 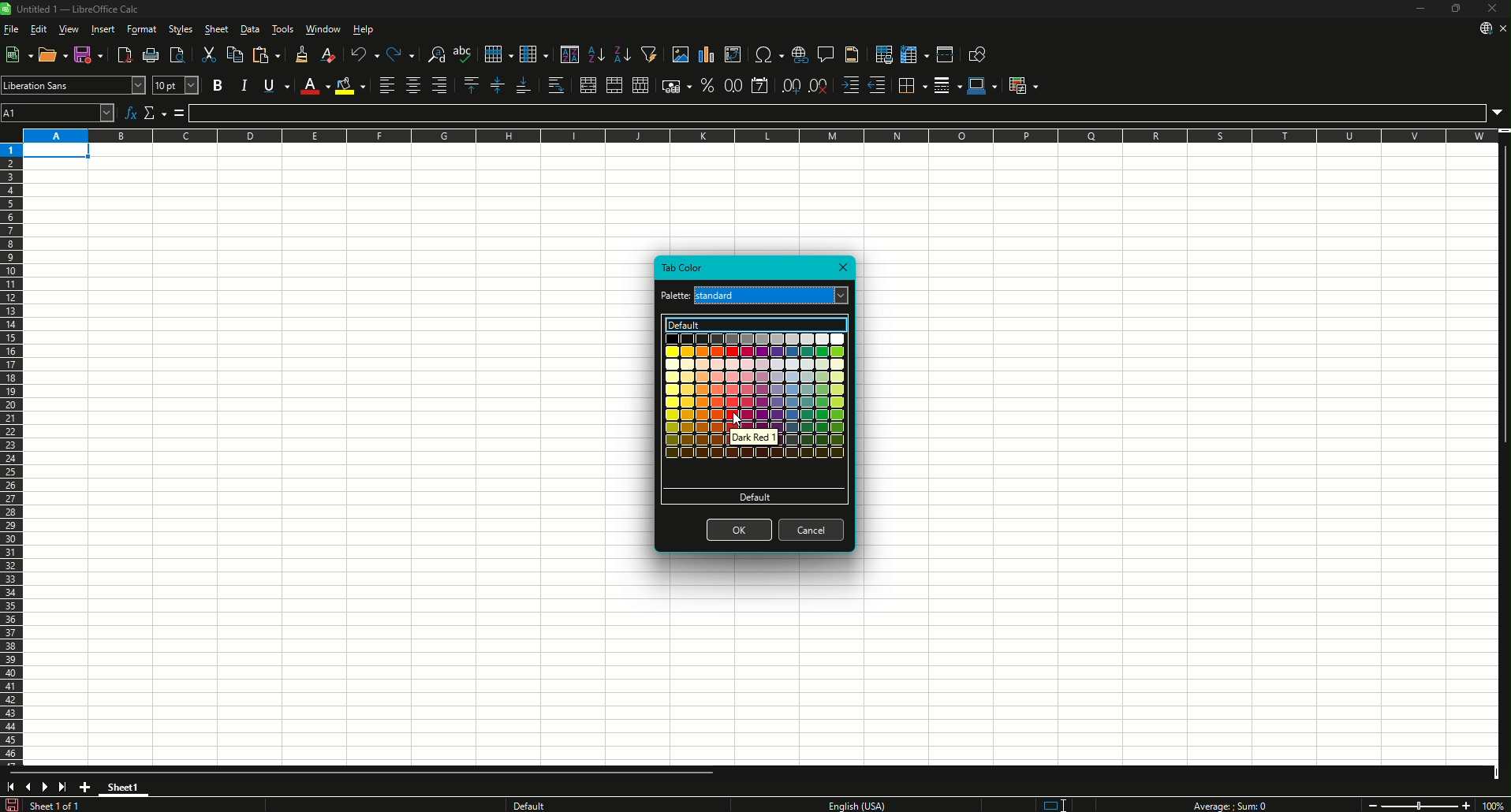 What do you see at coordinates (556, 85) in the screenshot?
I see `Wrap Text` at bounding box center [556, 85].